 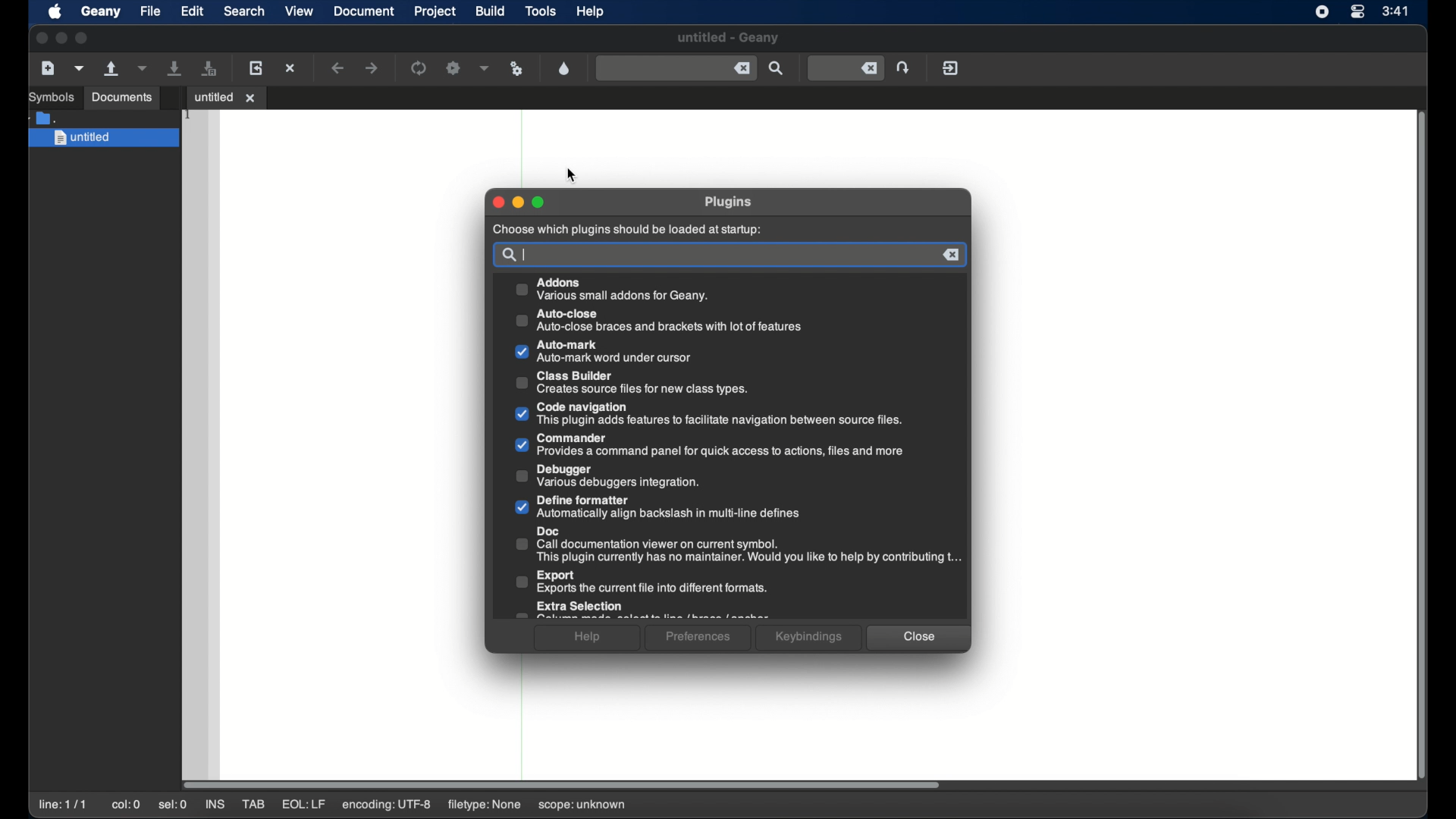 I want to click on documents, so click(x=121, y=98).